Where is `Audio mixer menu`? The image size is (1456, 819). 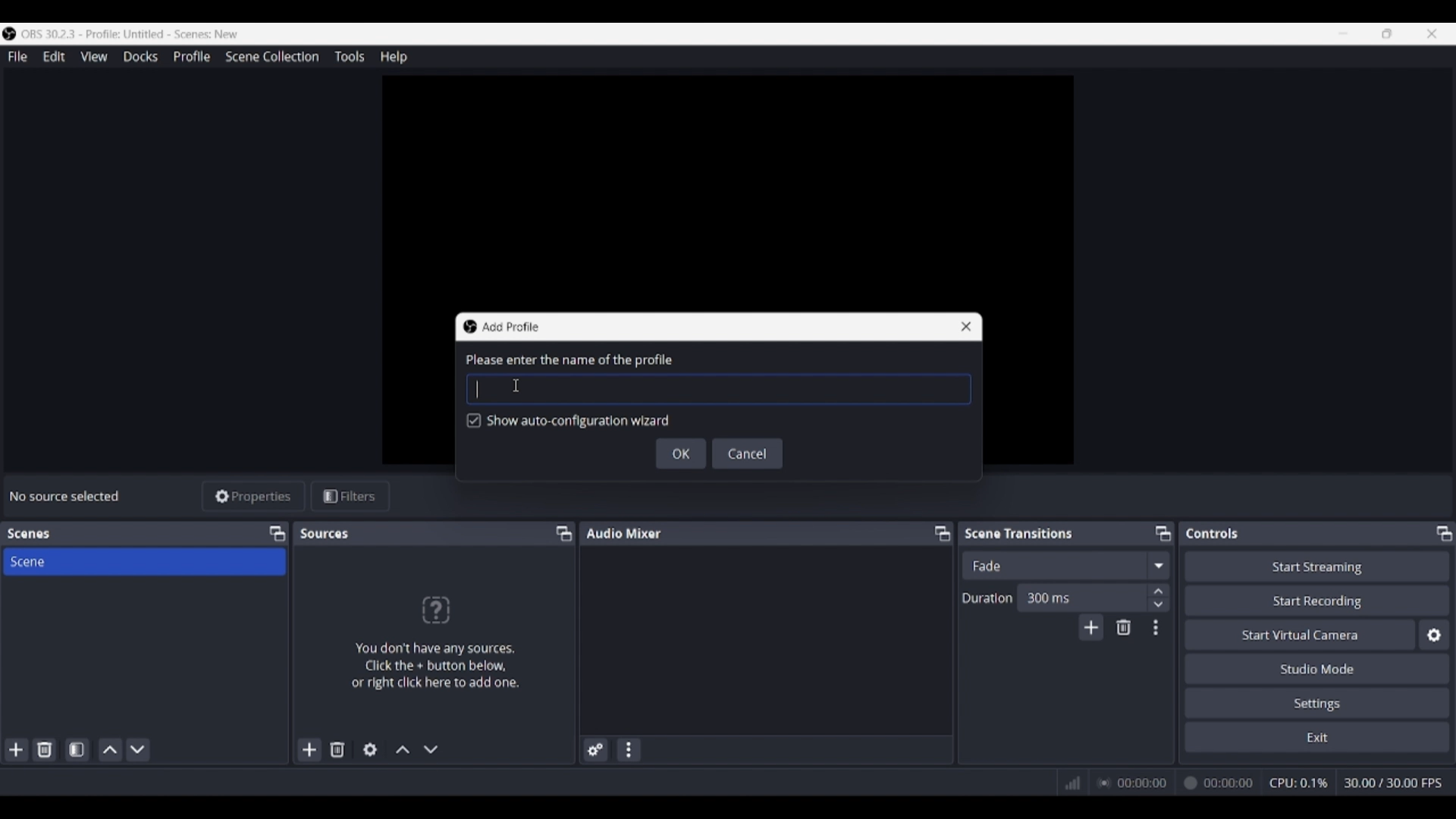
Audio mixer menu is located at coordinates (628, 750).